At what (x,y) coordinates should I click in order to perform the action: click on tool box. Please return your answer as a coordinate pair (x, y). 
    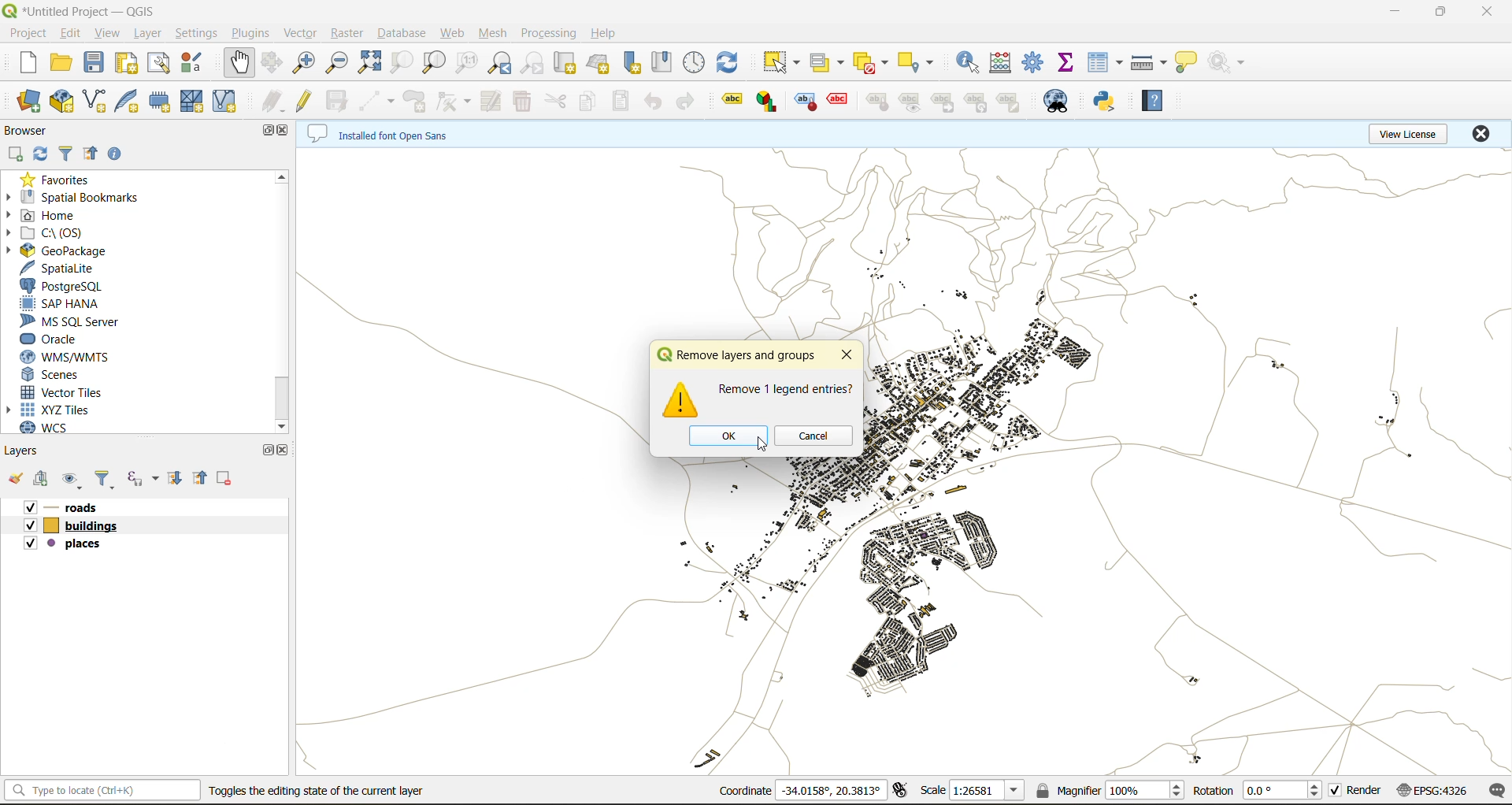
    Looking at the image, I should click on (1037, 64).